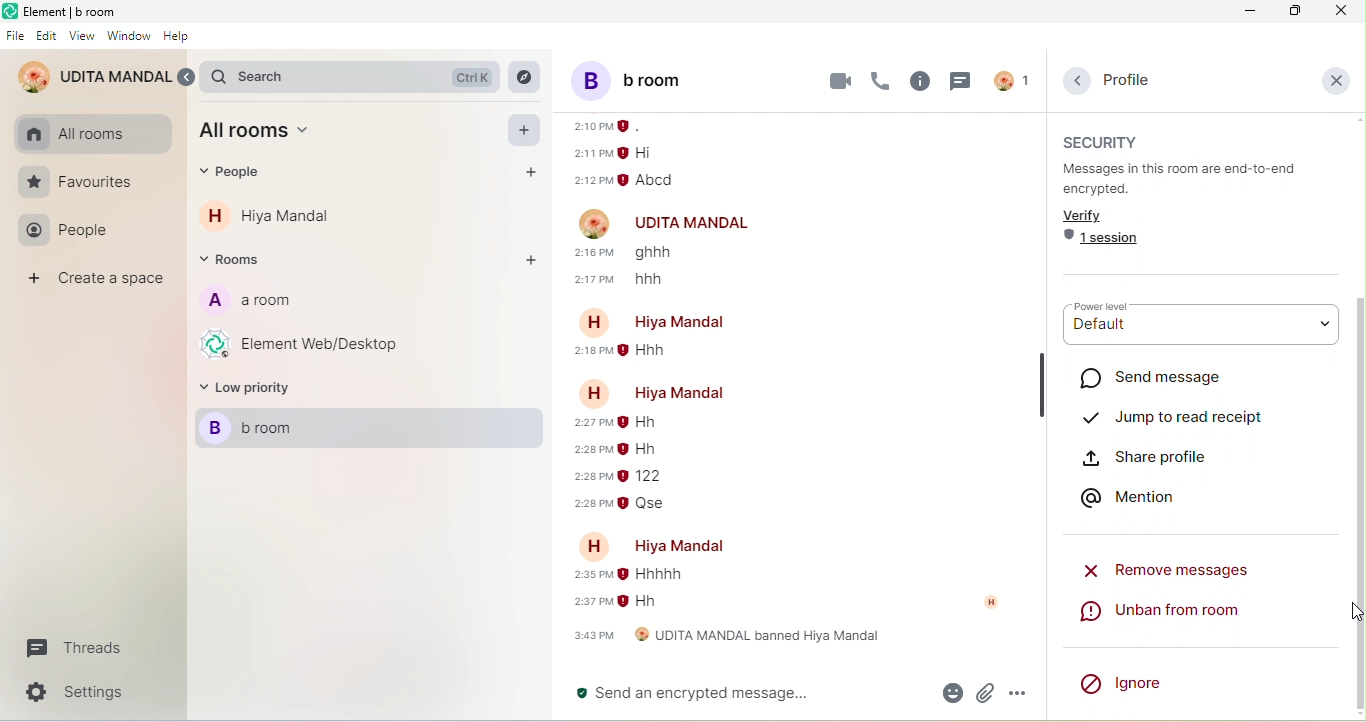 This screenshot has width=1366, height=722. What do you see at coordinates (958, 80) in the screenshot?
I see `threads` at bounding box center [958, 80].